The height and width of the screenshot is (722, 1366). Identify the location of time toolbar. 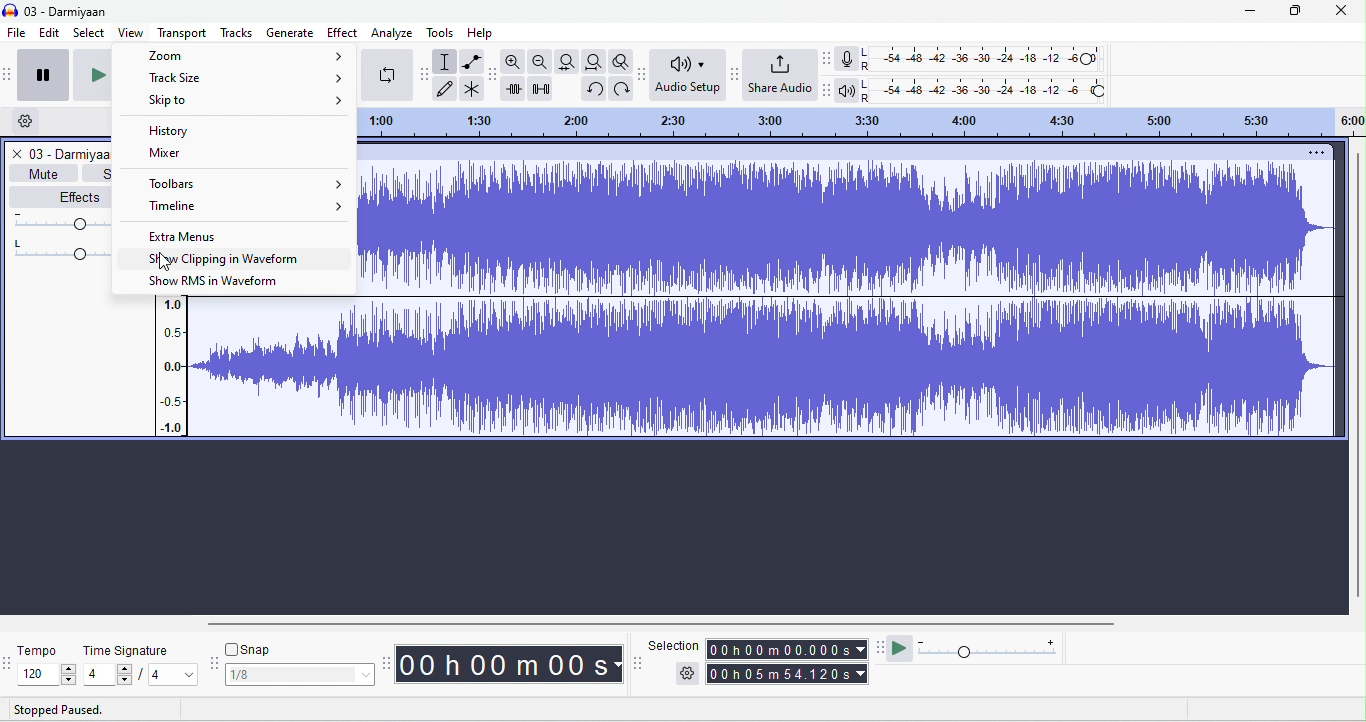
(389, 664).